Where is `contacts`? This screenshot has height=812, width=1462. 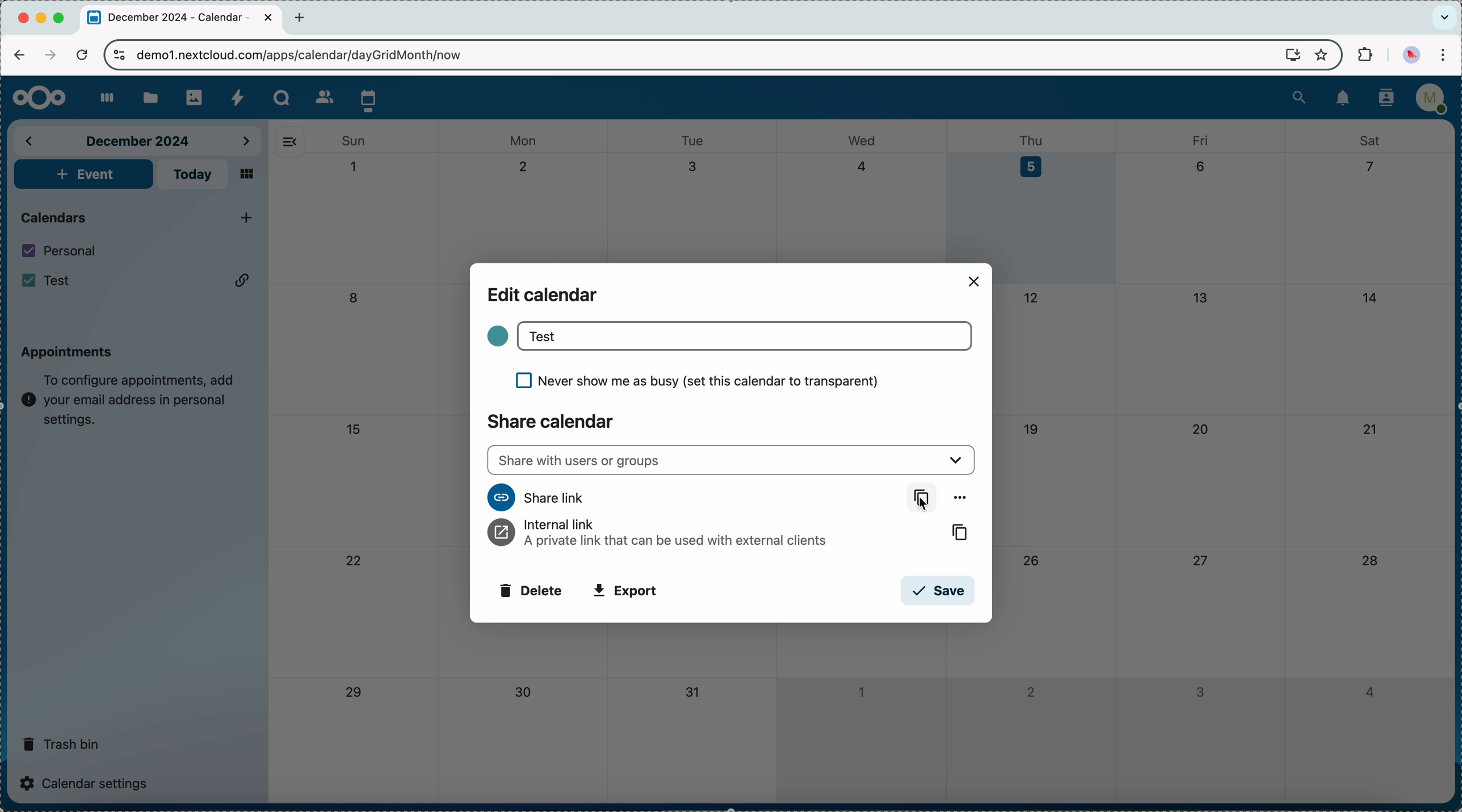 contacts is located at coordinates (321, 96).